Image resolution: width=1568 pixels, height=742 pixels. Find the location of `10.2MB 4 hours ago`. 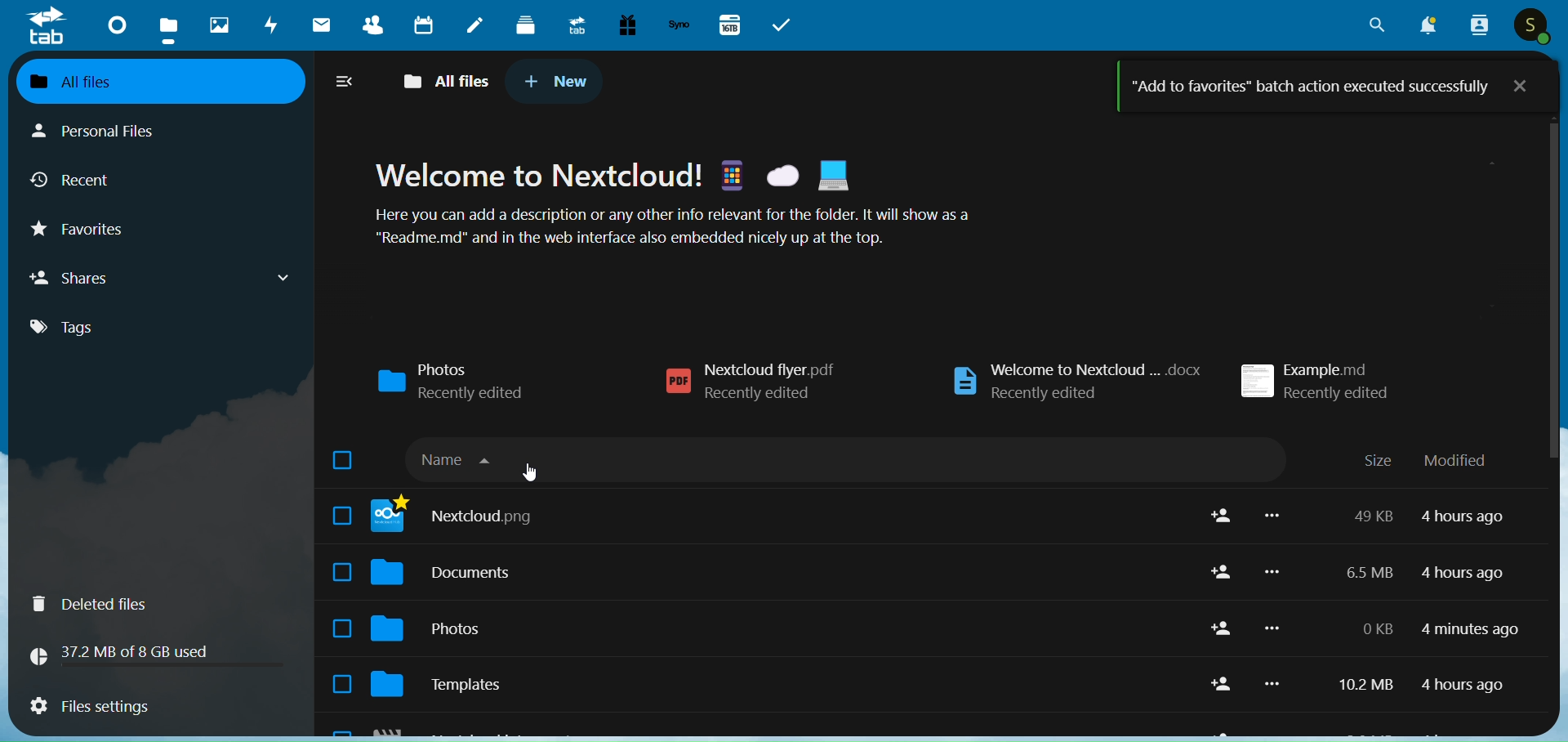

10.2MB 4 hours ago is located at coordinates (1423, 685).